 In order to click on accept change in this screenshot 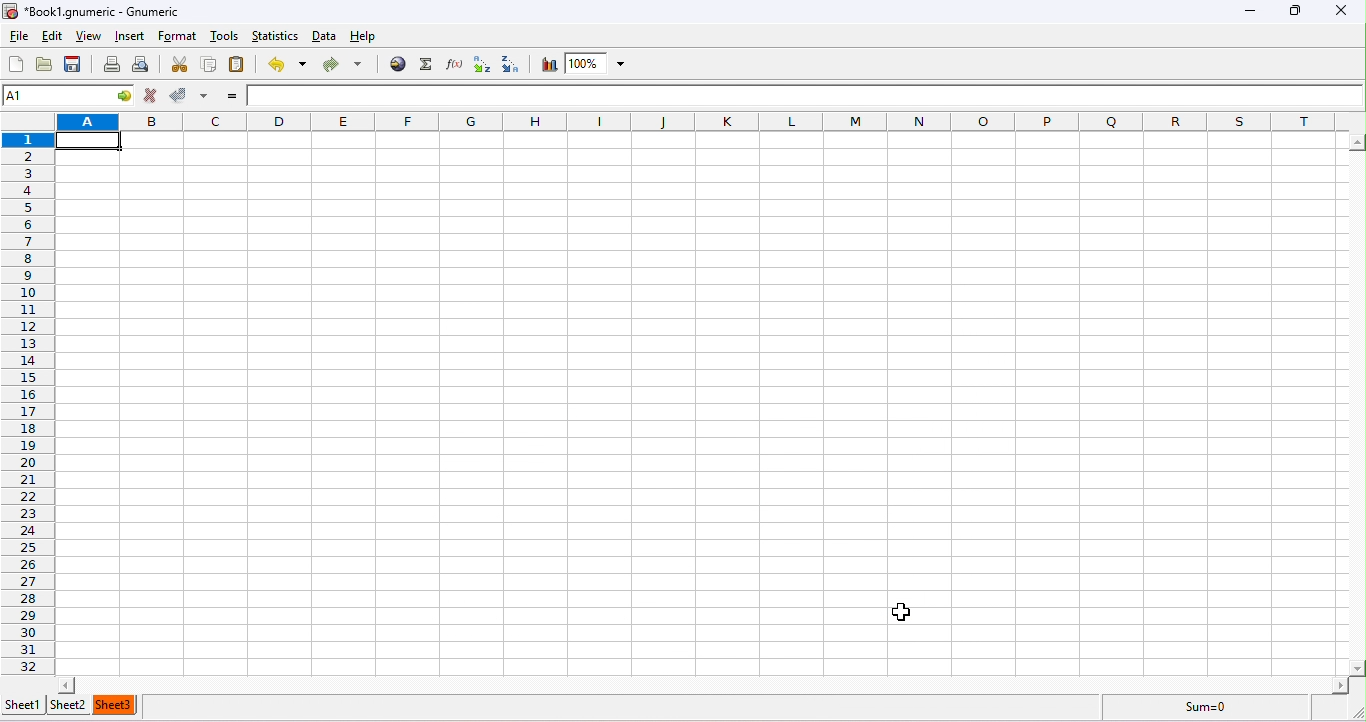, I will do `click(190, 95)`.